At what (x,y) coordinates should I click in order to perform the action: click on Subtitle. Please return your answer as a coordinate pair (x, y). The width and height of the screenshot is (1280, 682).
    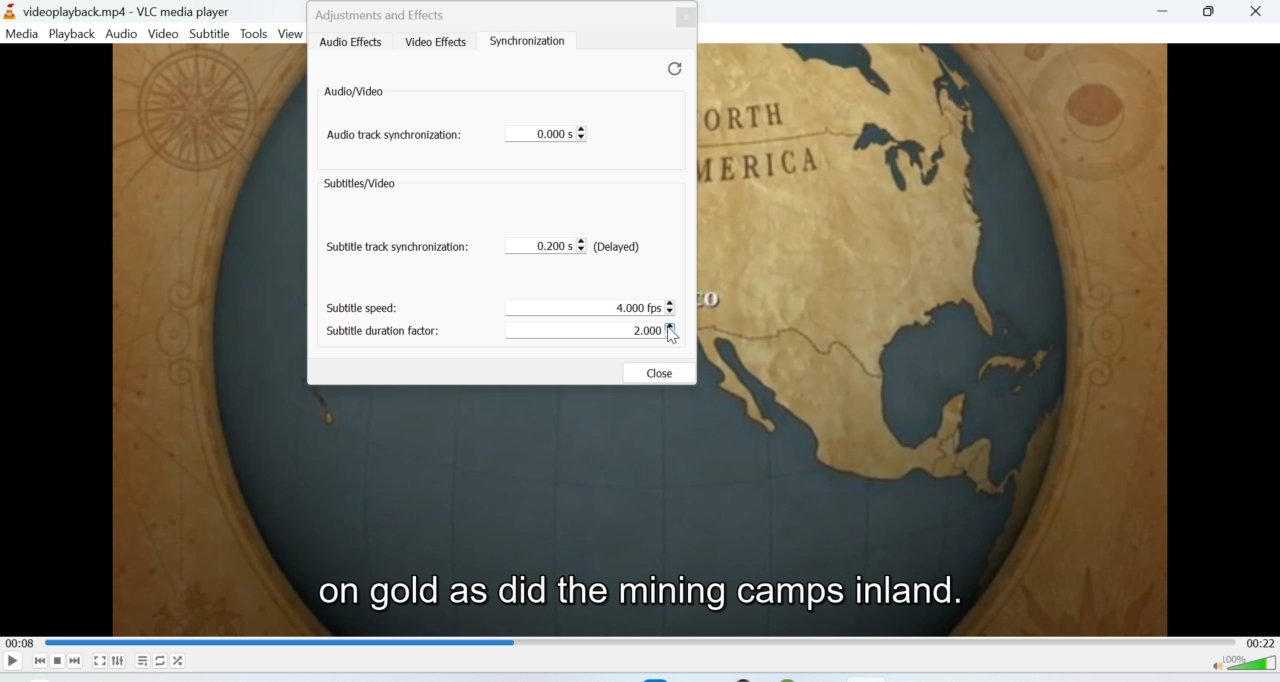
    Looking at the image, I should click on (210, 33).